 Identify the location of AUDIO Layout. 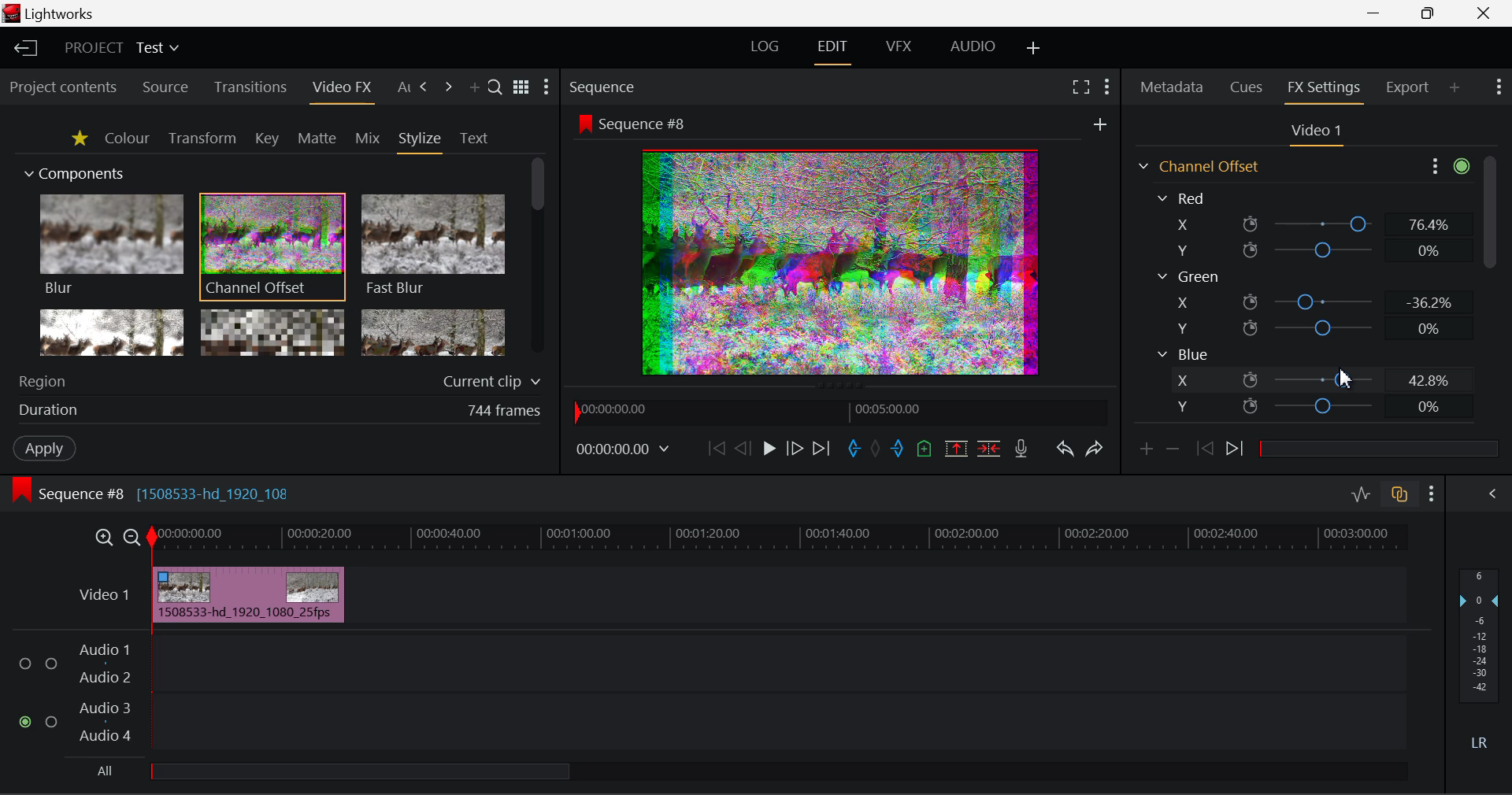
(975, 50).